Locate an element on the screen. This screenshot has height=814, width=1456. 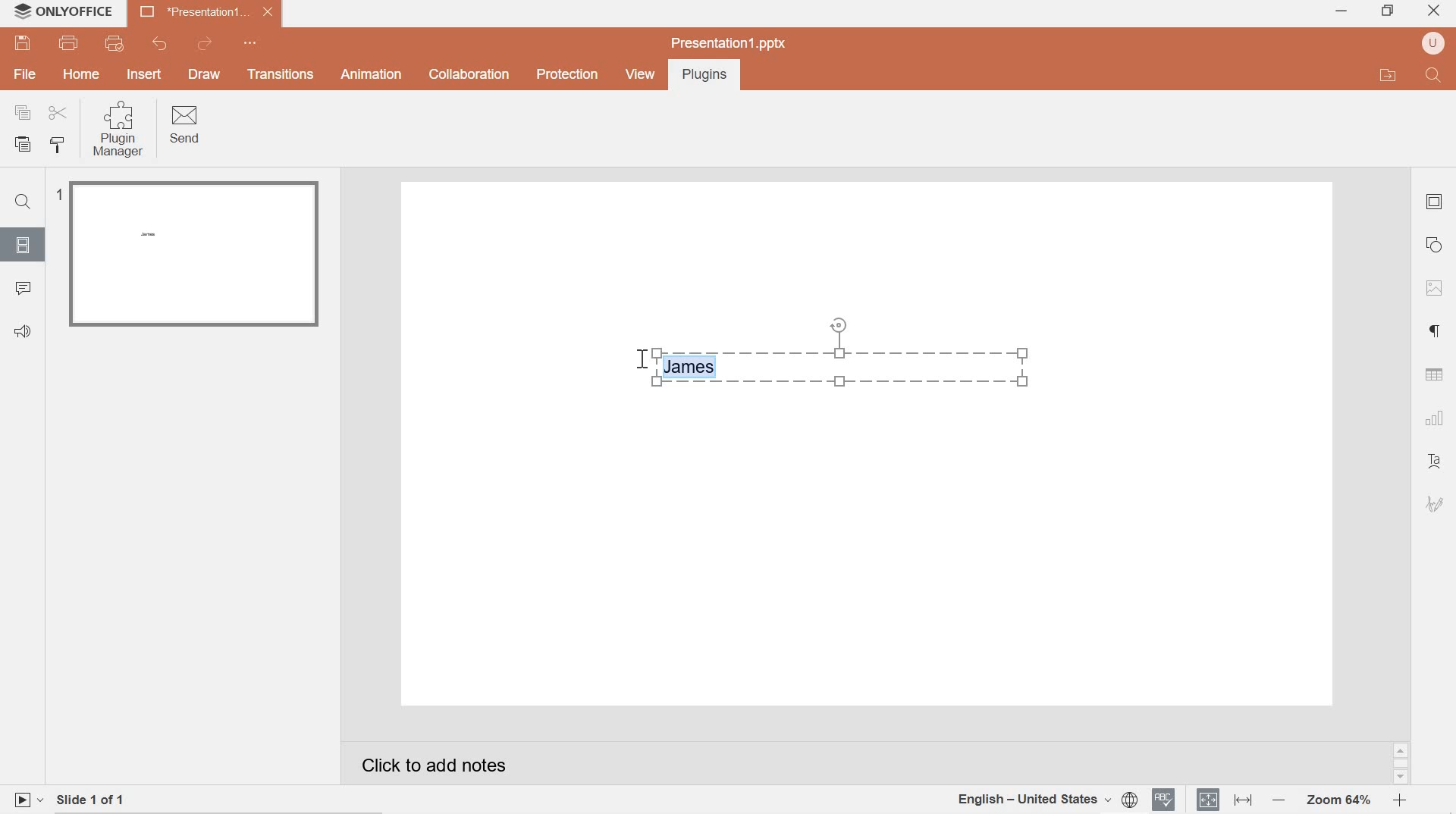
chart is located at coordinates (1434, 418).